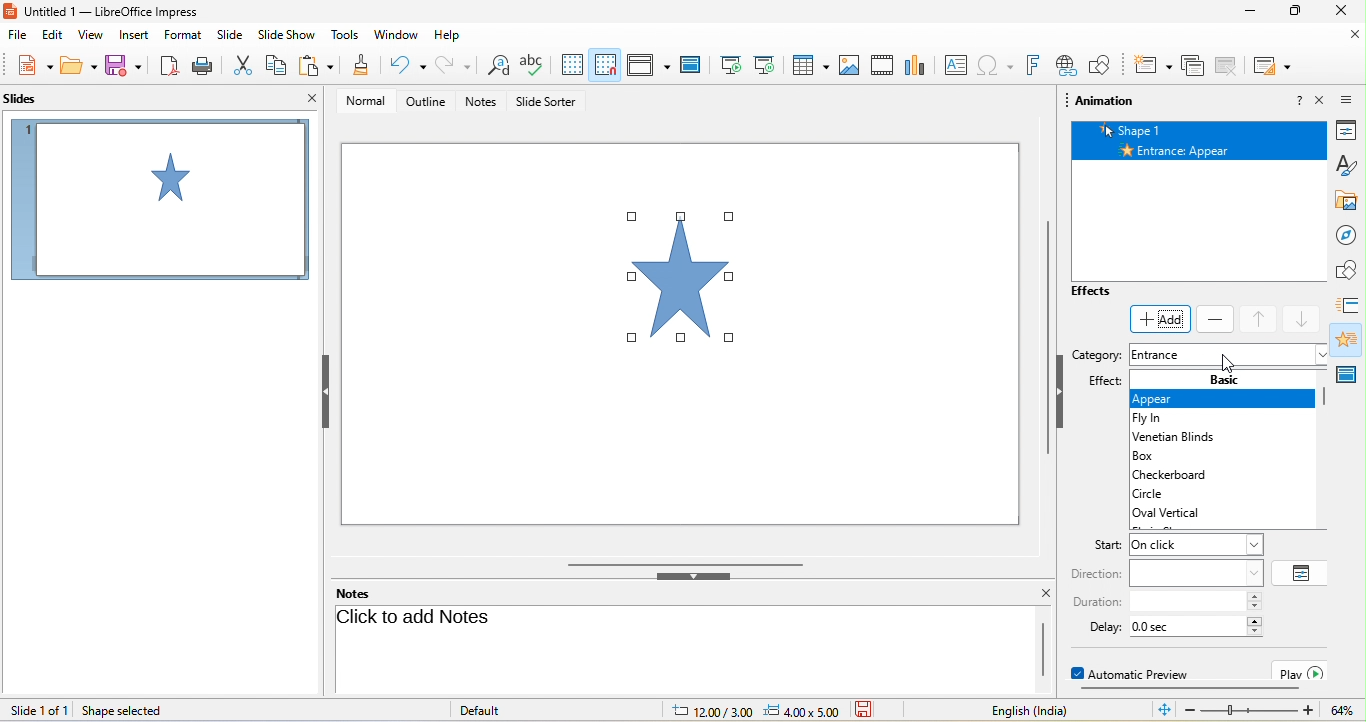 This screenshot has width=1366, height=722. What do you see at coordinates (329, 392) in the screenshot?
I see `hide` at bounding box center [329, 392].